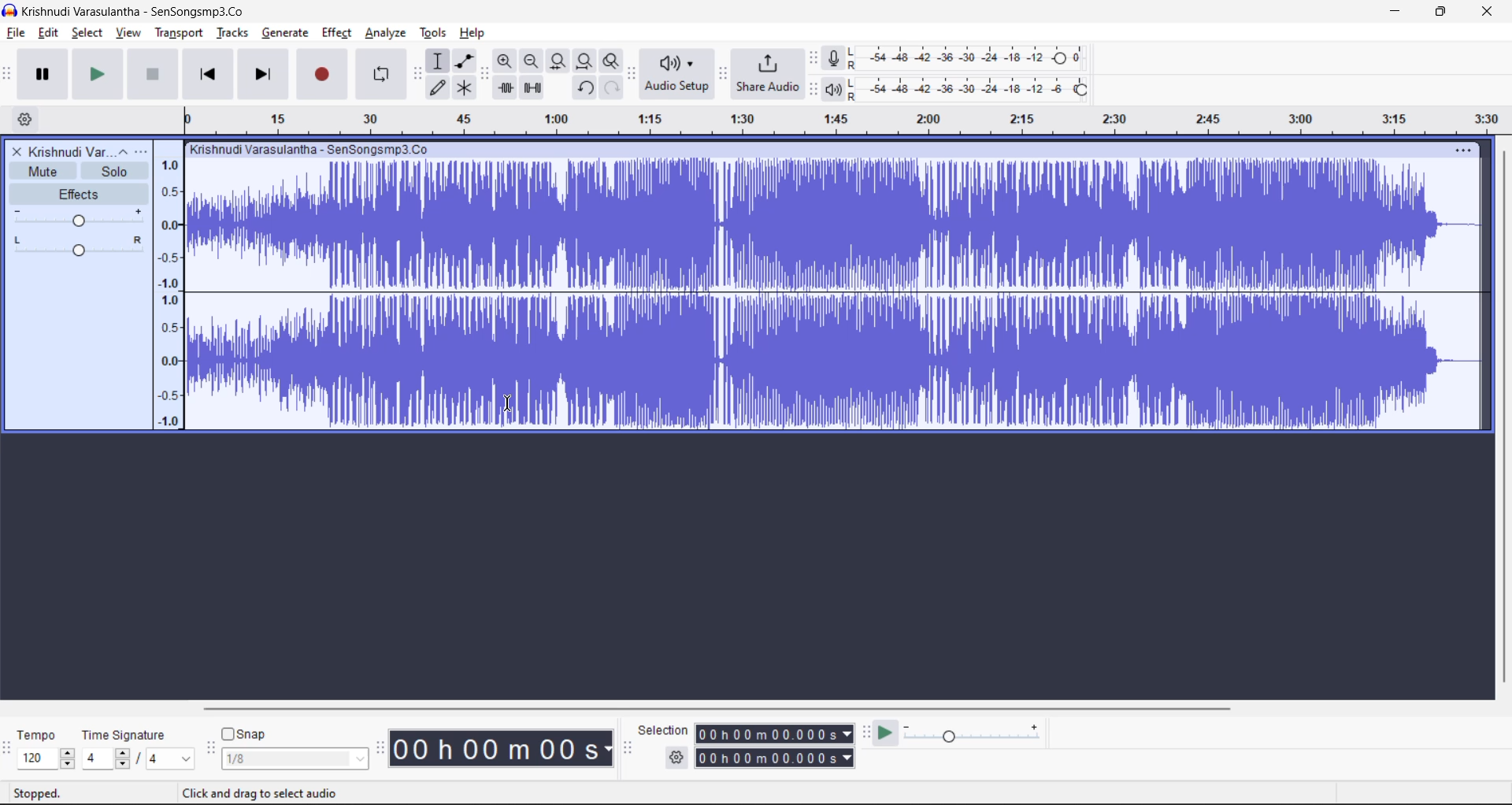 The width and height of the screenshot is (1512, 805). Describe the element at coordinates (154, 75) in the screenshot. I see `stop` at that location.